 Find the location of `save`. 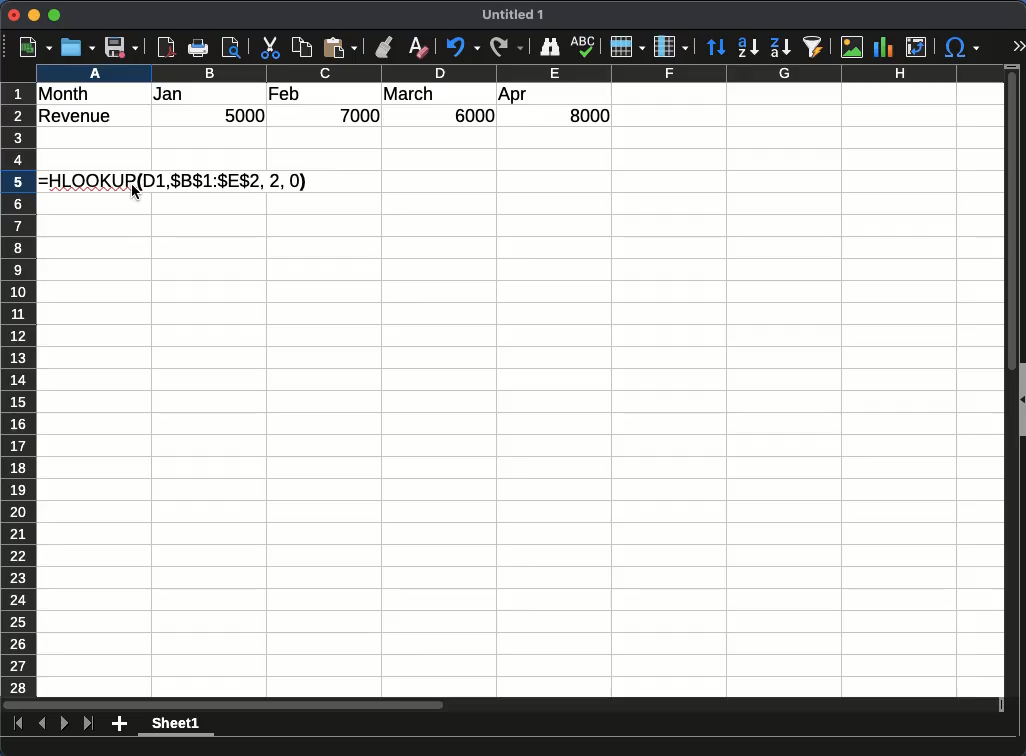

save is located at coordinates (121, 47).